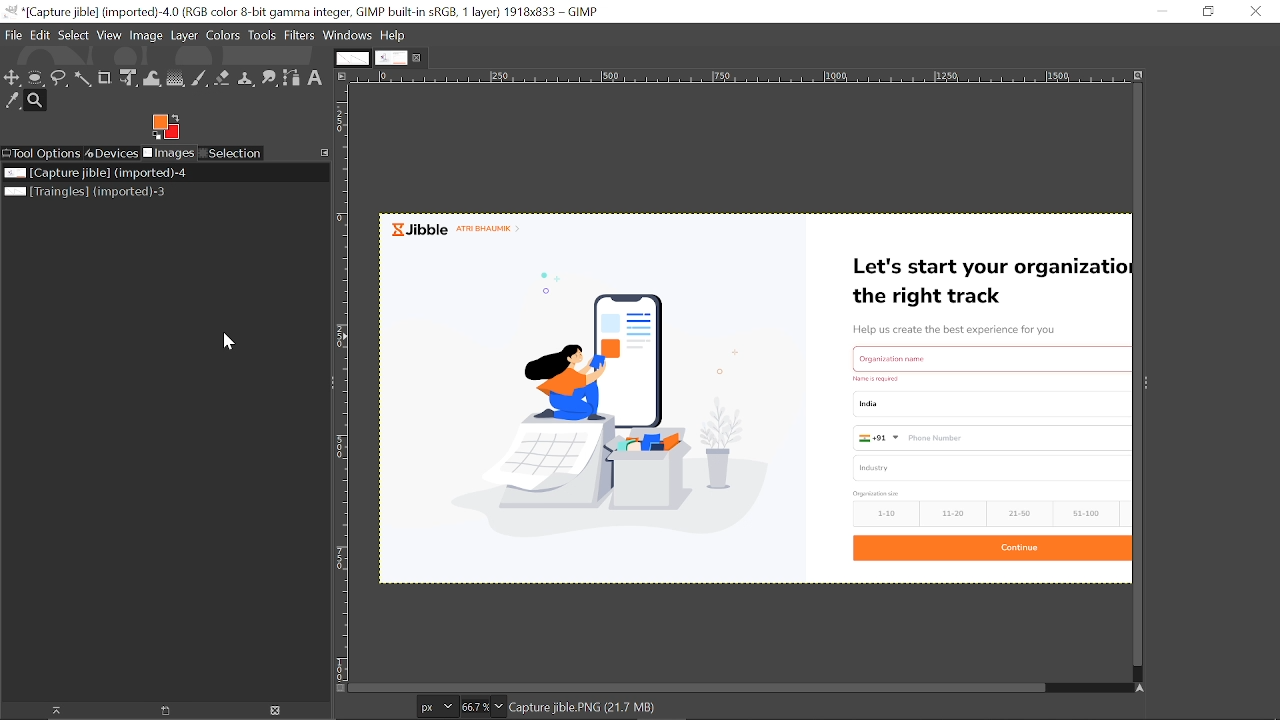 The height and width of the screenshot is (720, 1280). Describe the element at coordinates (226, 344) in the screenshot. I see `Cursor` at that location.